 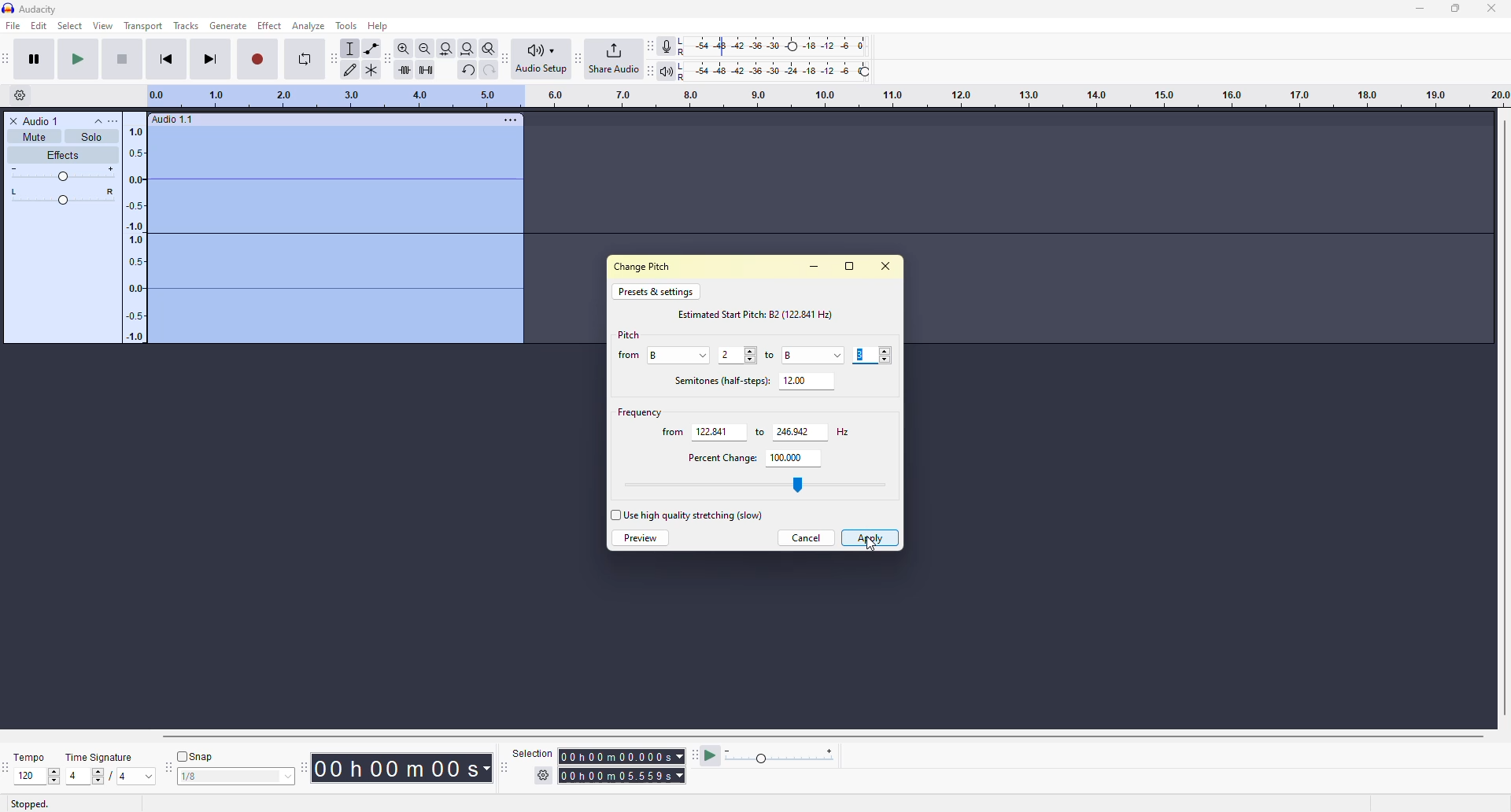 I want to click on enable looping, so click(x=305, y=59).